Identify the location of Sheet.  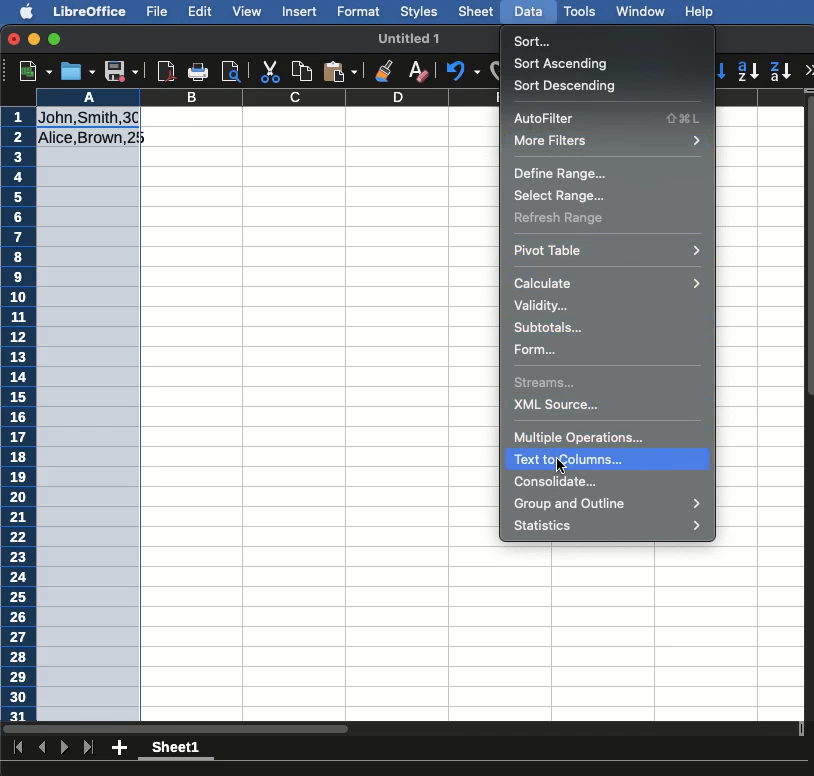
(181, 750).